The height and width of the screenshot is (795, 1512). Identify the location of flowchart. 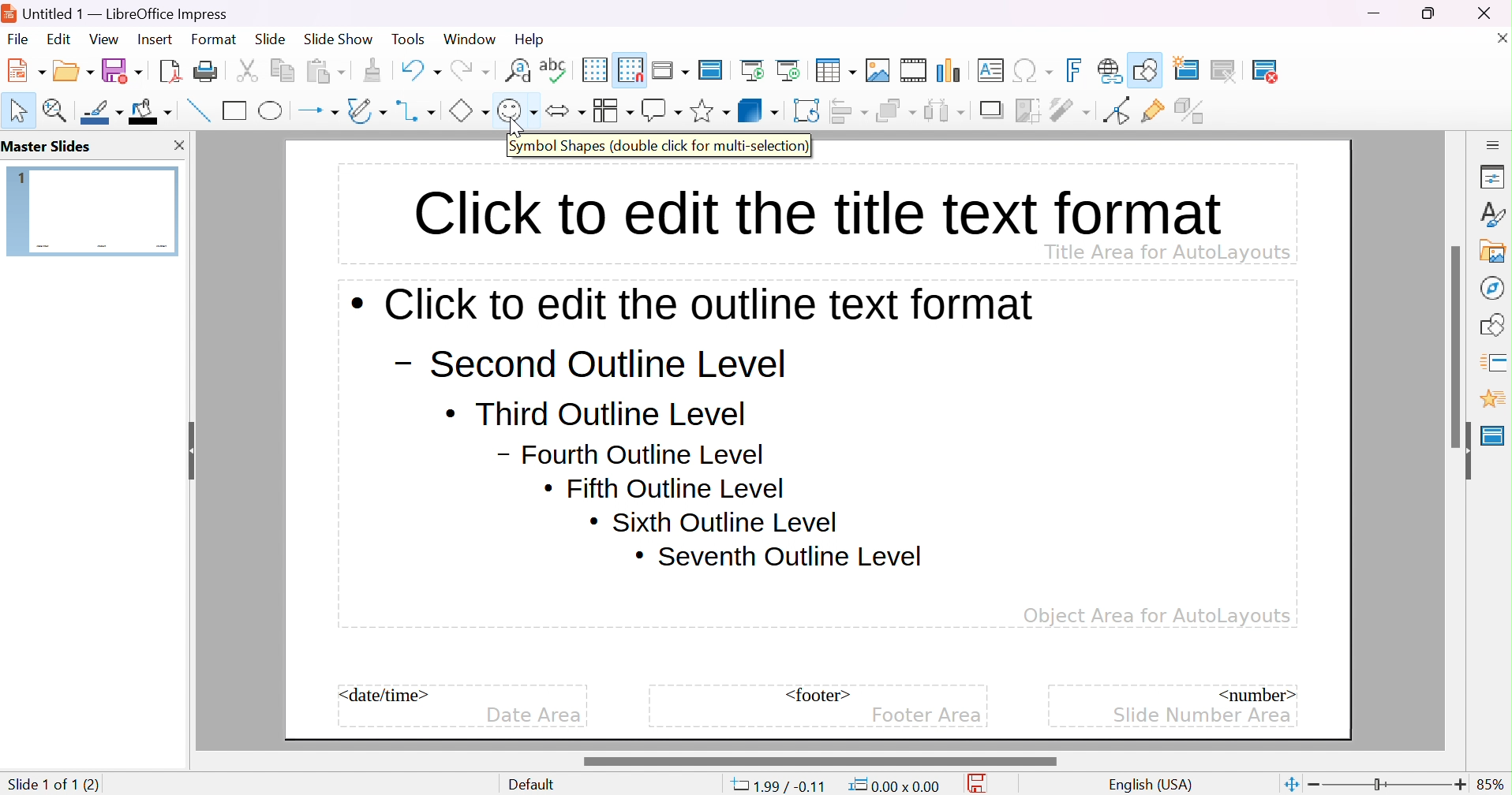
(612, 110).